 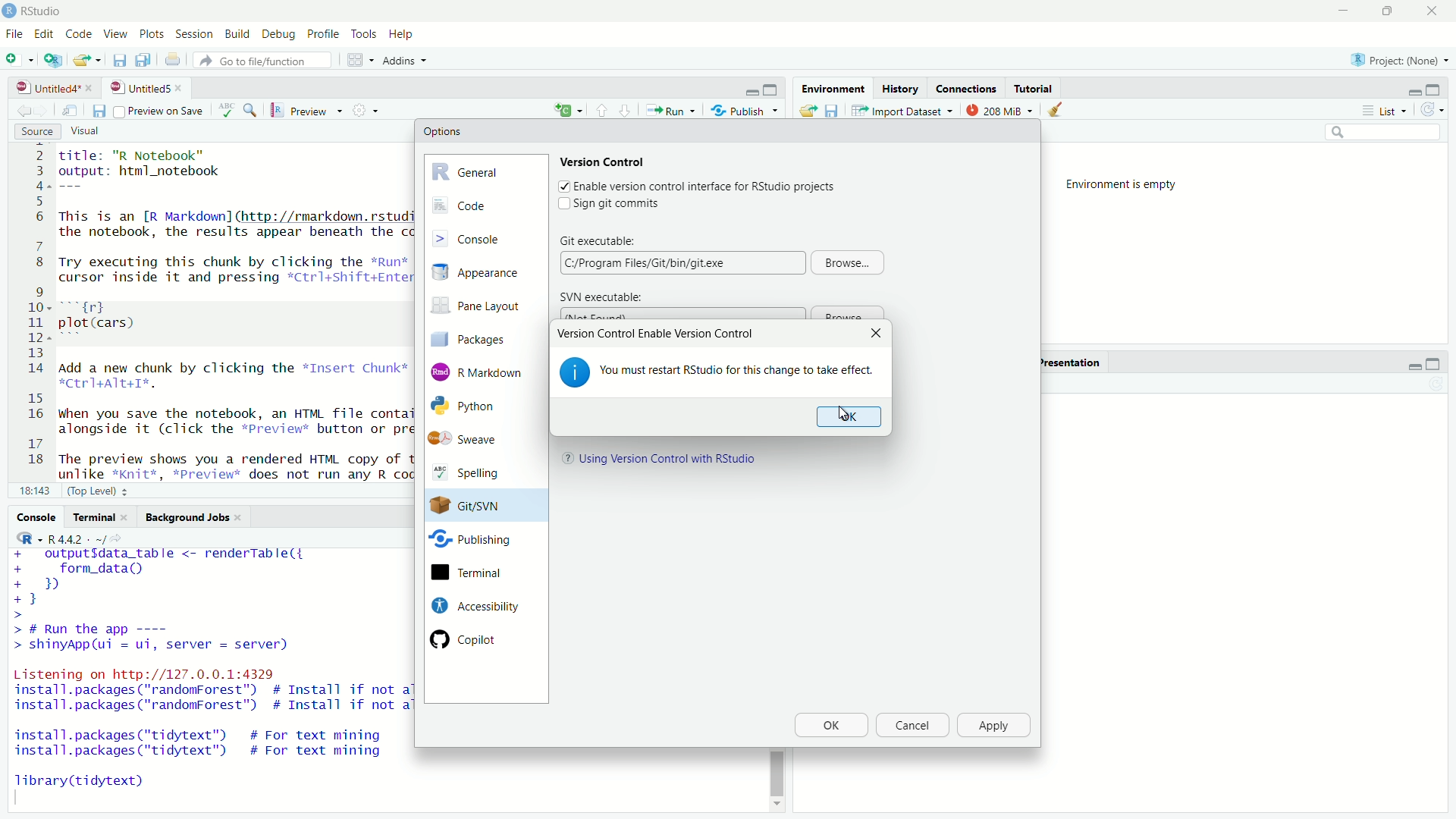 I want to click on Publish, so click(x=745, y=109).